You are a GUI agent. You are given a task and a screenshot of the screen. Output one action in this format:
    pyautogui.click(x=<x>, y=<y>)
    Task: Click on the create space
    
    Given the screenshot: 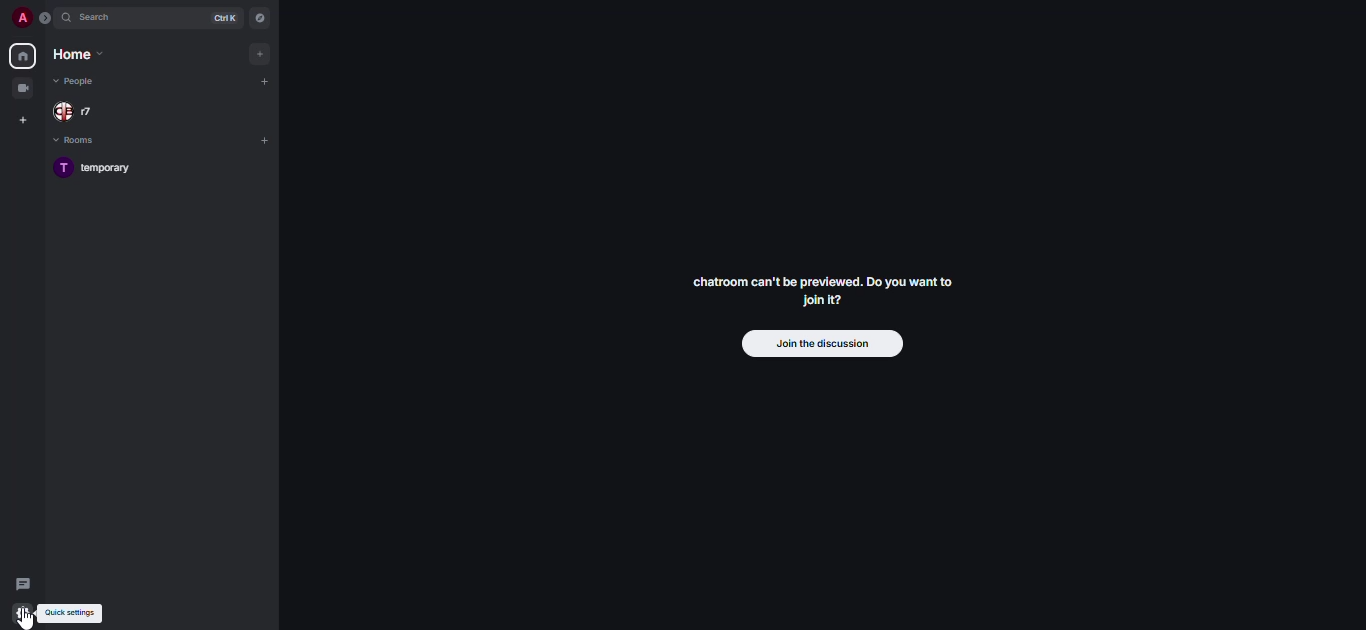 What is the action you would take?
    pyautogui.click(x=21, y=120)
    